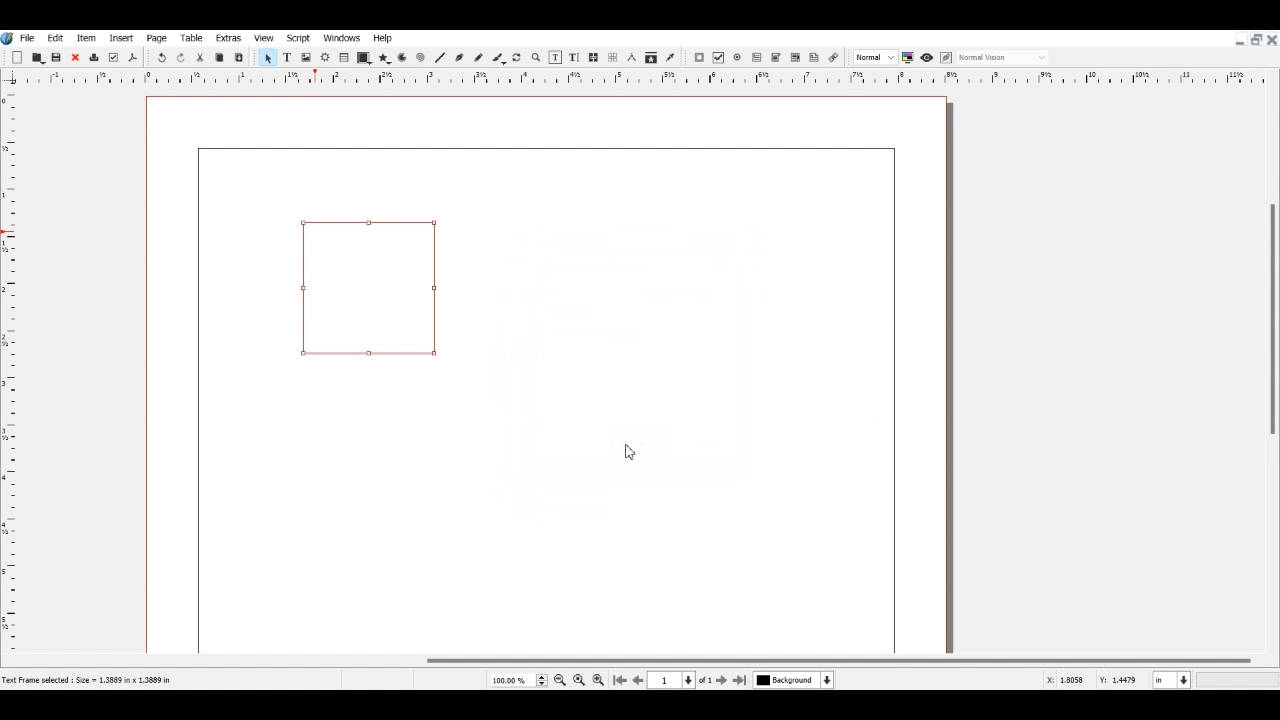  I want to click on Add, so click(17, 58).